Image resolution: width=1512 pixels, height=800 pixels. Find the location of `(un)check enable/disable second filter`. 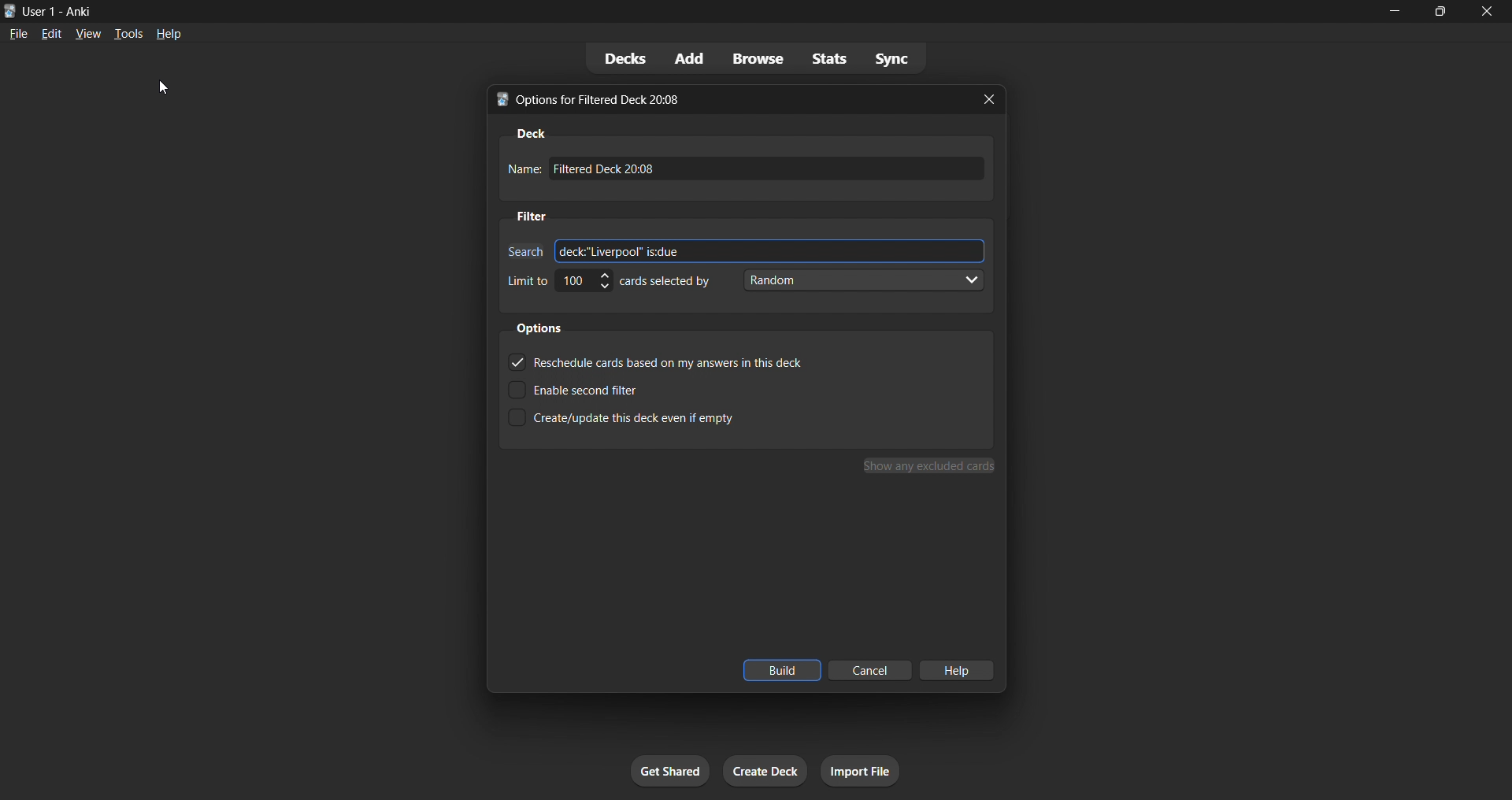

(un)check enable/disable second filter is located at coordinates (676, 390).